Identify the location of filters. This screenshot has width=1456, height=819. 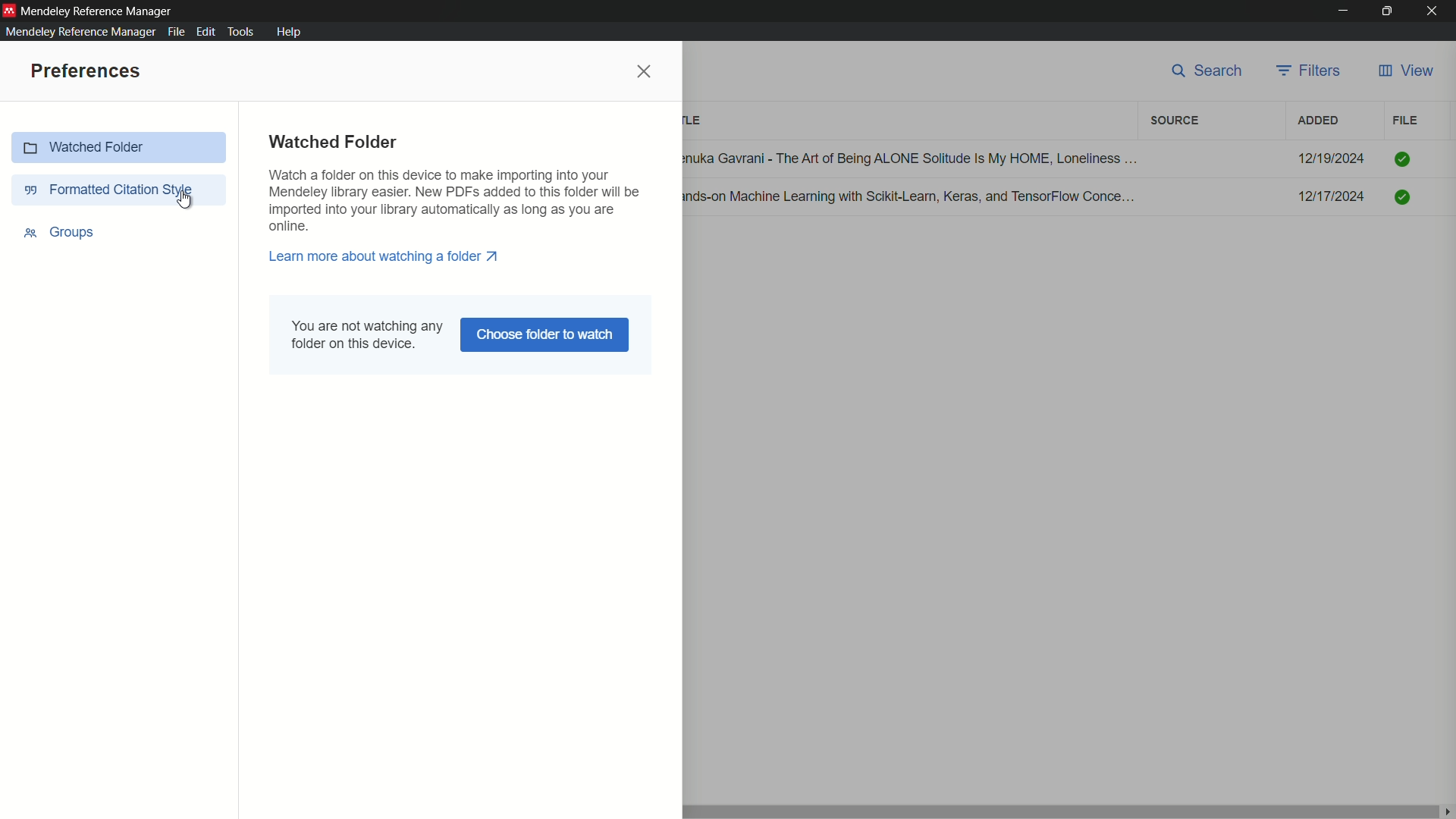
(1175, 121).